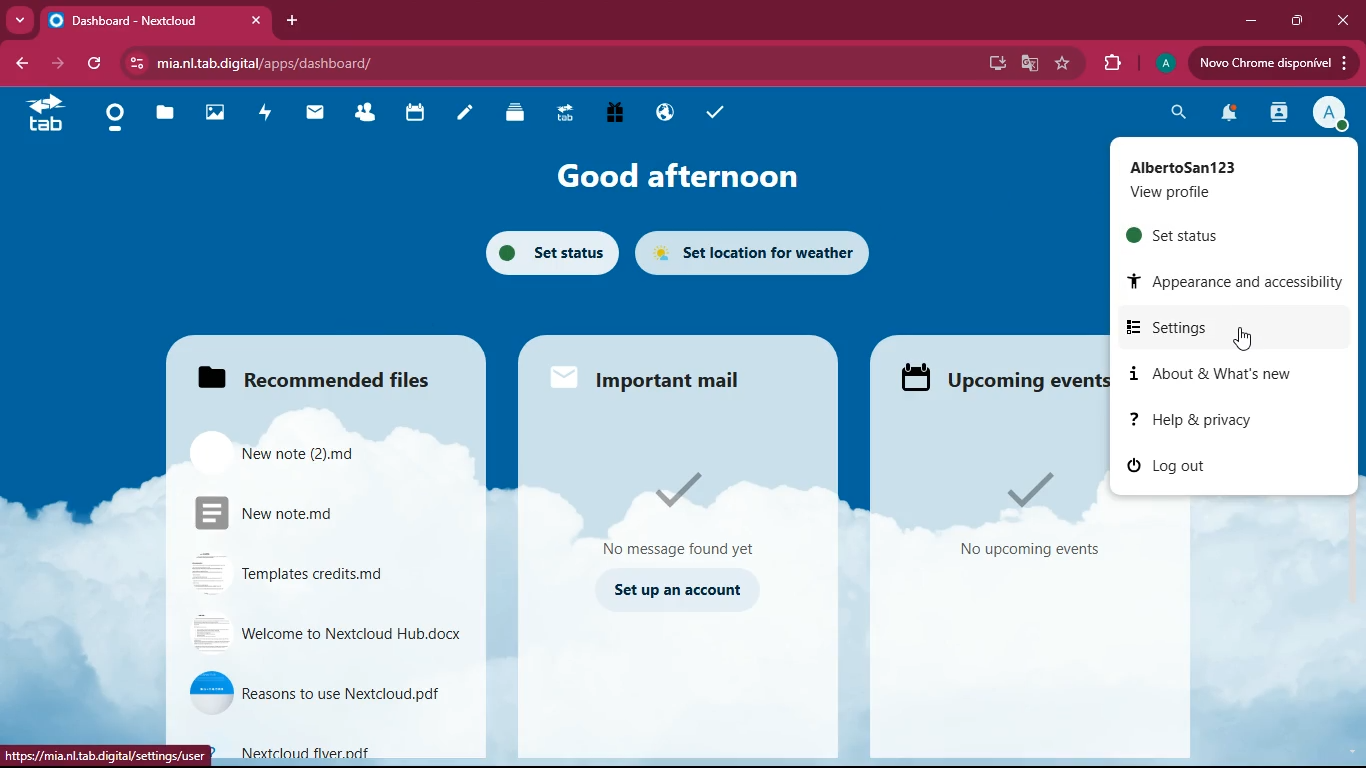  Describe the element at coordinates (1234, 421) in the screenshot. I see `help` at that location.